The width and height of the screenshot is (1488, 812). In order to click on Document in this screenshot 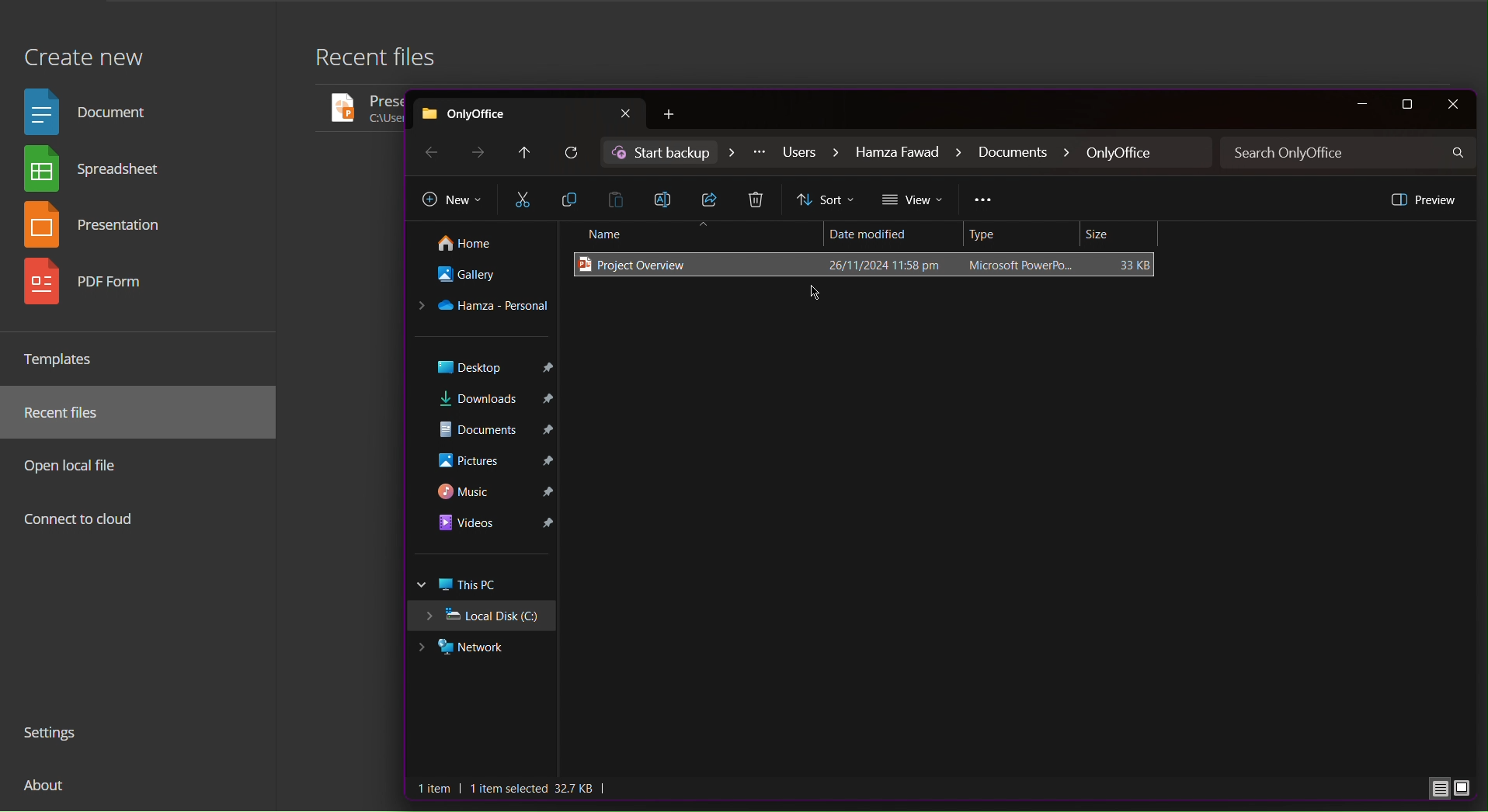, I will do `click(92, 110)`.